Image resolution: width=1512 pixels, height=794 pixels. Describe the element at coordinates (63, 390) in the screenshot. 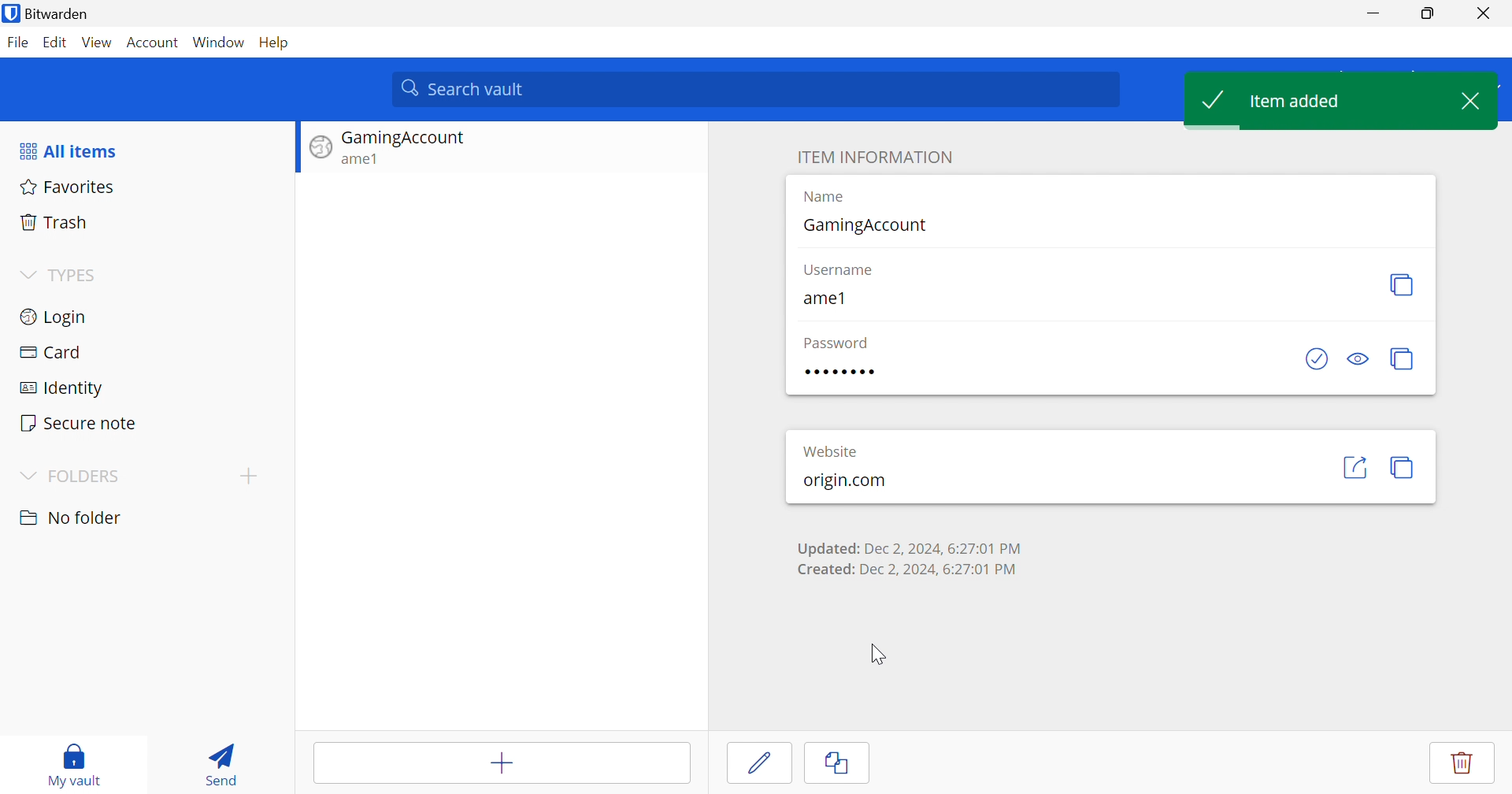

I see `Identity` at that location.